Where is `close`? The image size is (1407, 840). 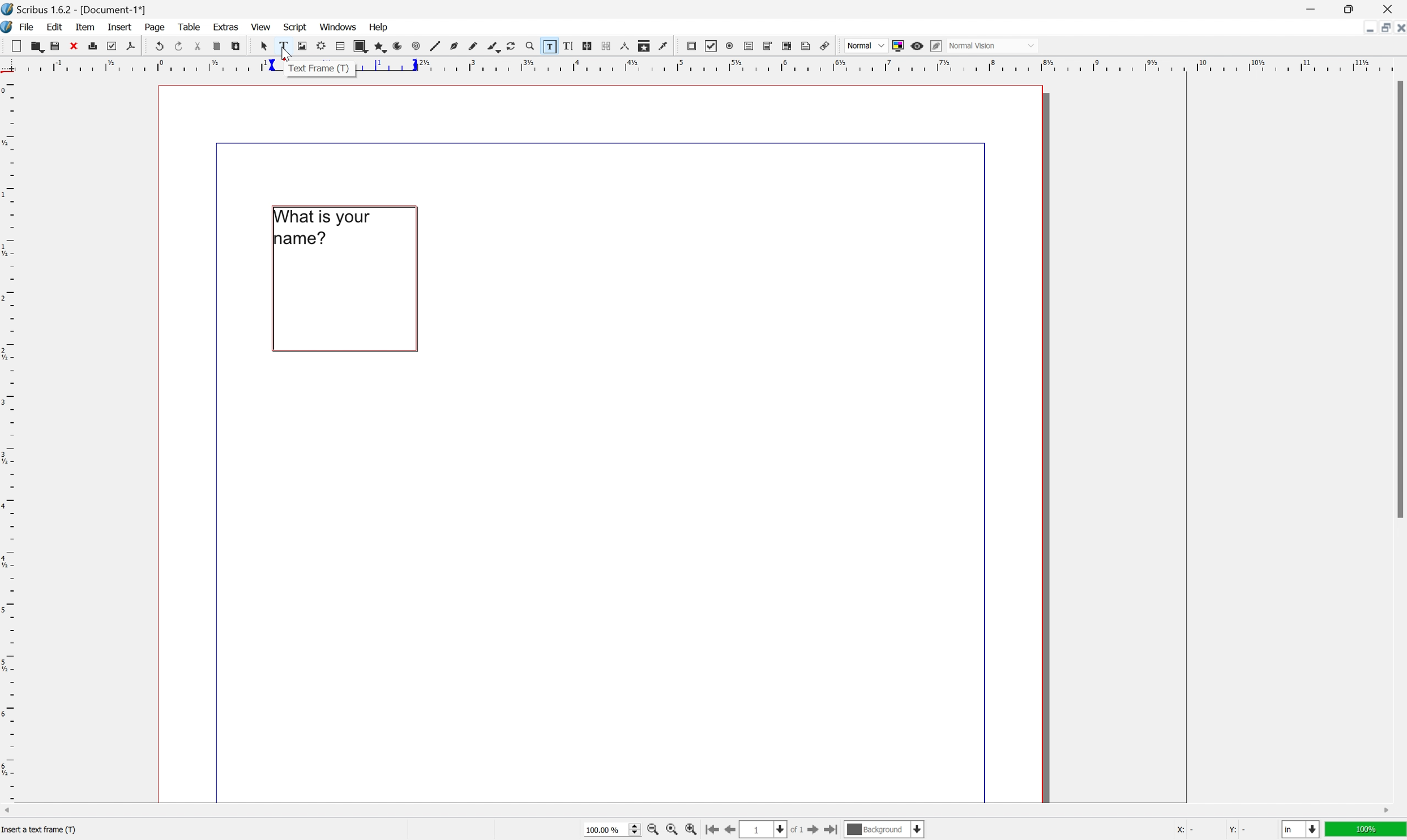 close is located at coordinates (1398, 29).